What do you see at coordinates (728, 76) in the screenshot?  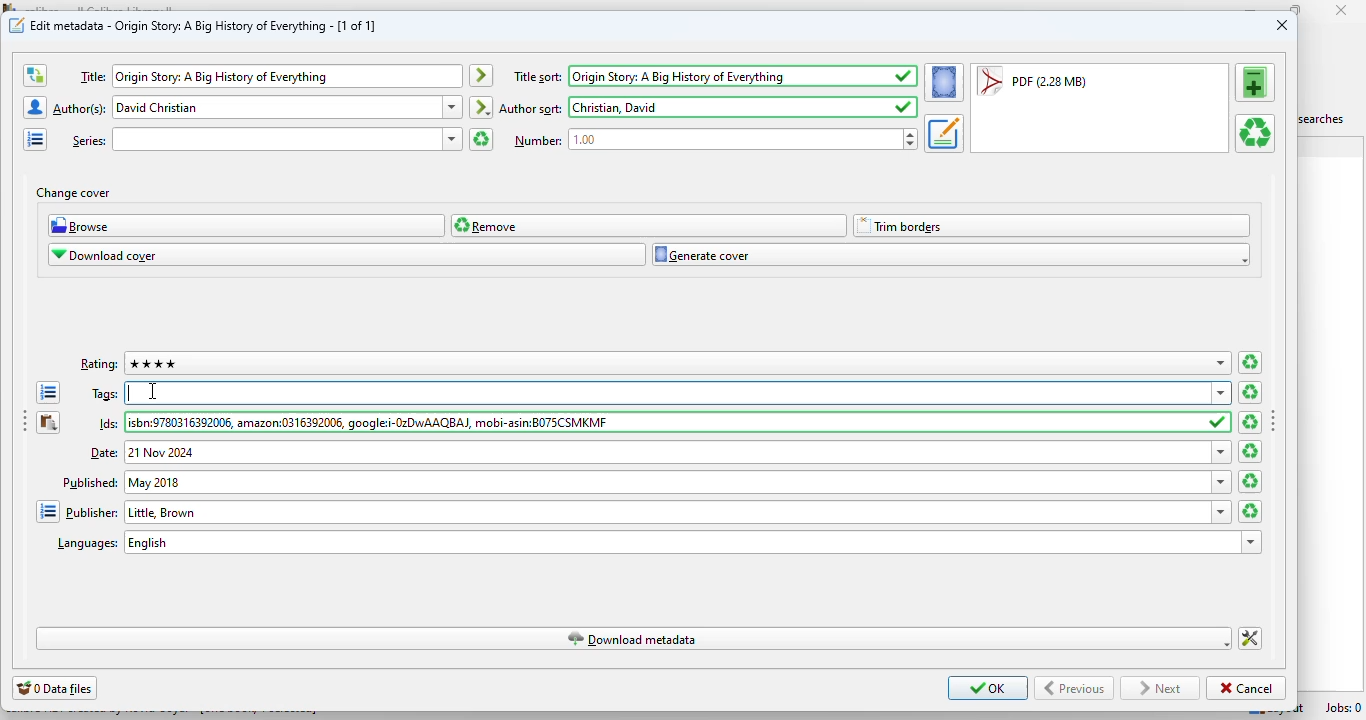 I see `title sort: Origin Story: A Big History of Everything` at bounding box center [728, 76].